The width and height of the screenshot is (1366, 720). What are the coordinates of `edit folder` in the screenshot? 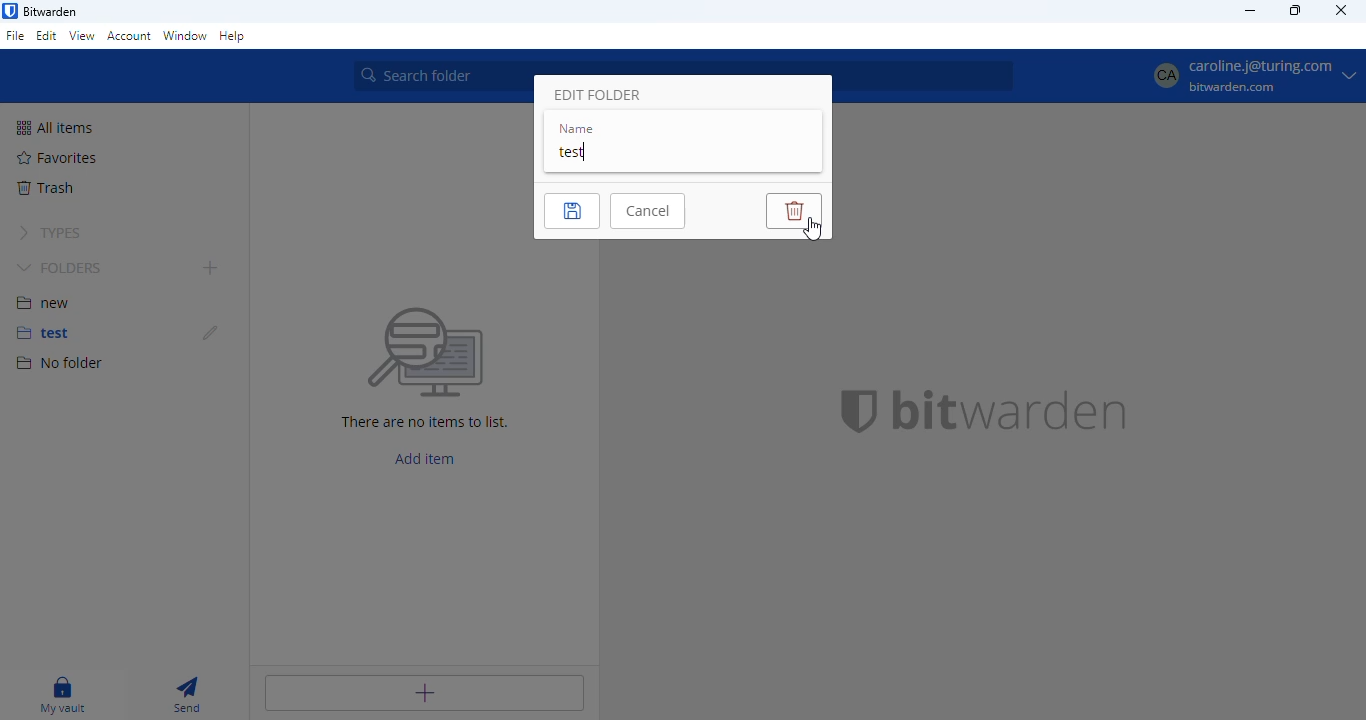 It's located at (597, 95).